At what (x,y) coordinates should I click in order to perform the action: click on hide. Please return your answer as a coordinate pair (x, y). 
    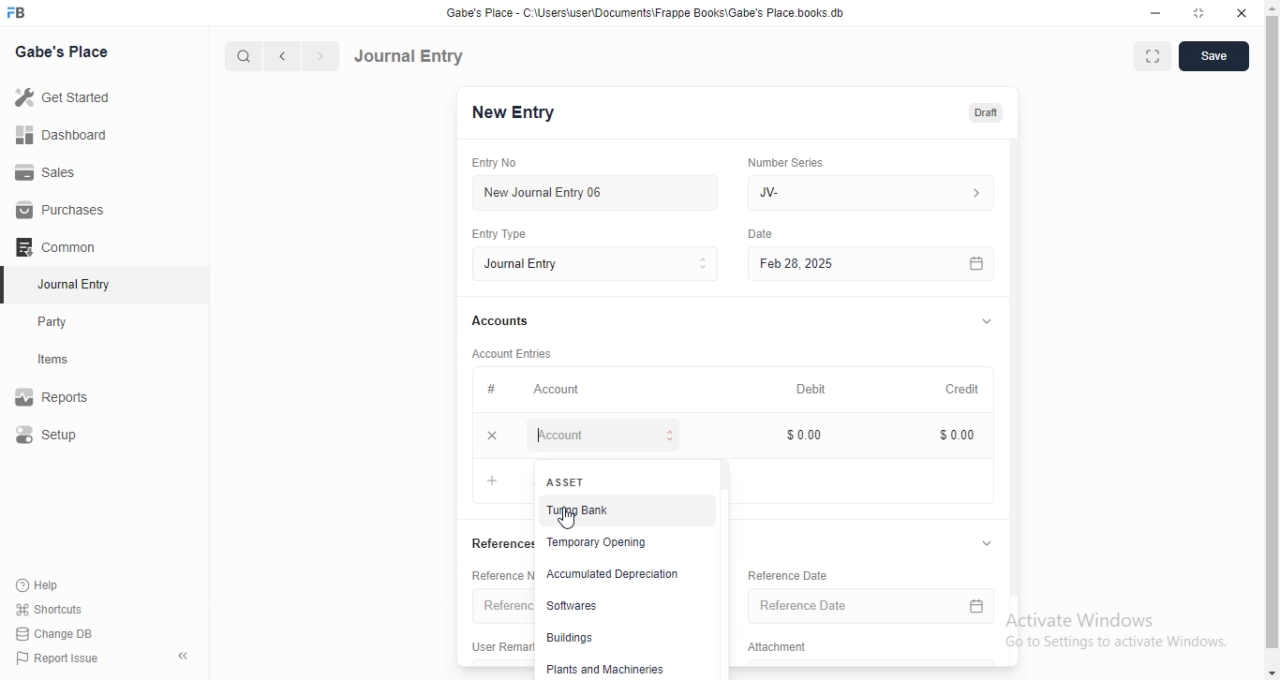
    Looking at the image, I should click on (179, 657).